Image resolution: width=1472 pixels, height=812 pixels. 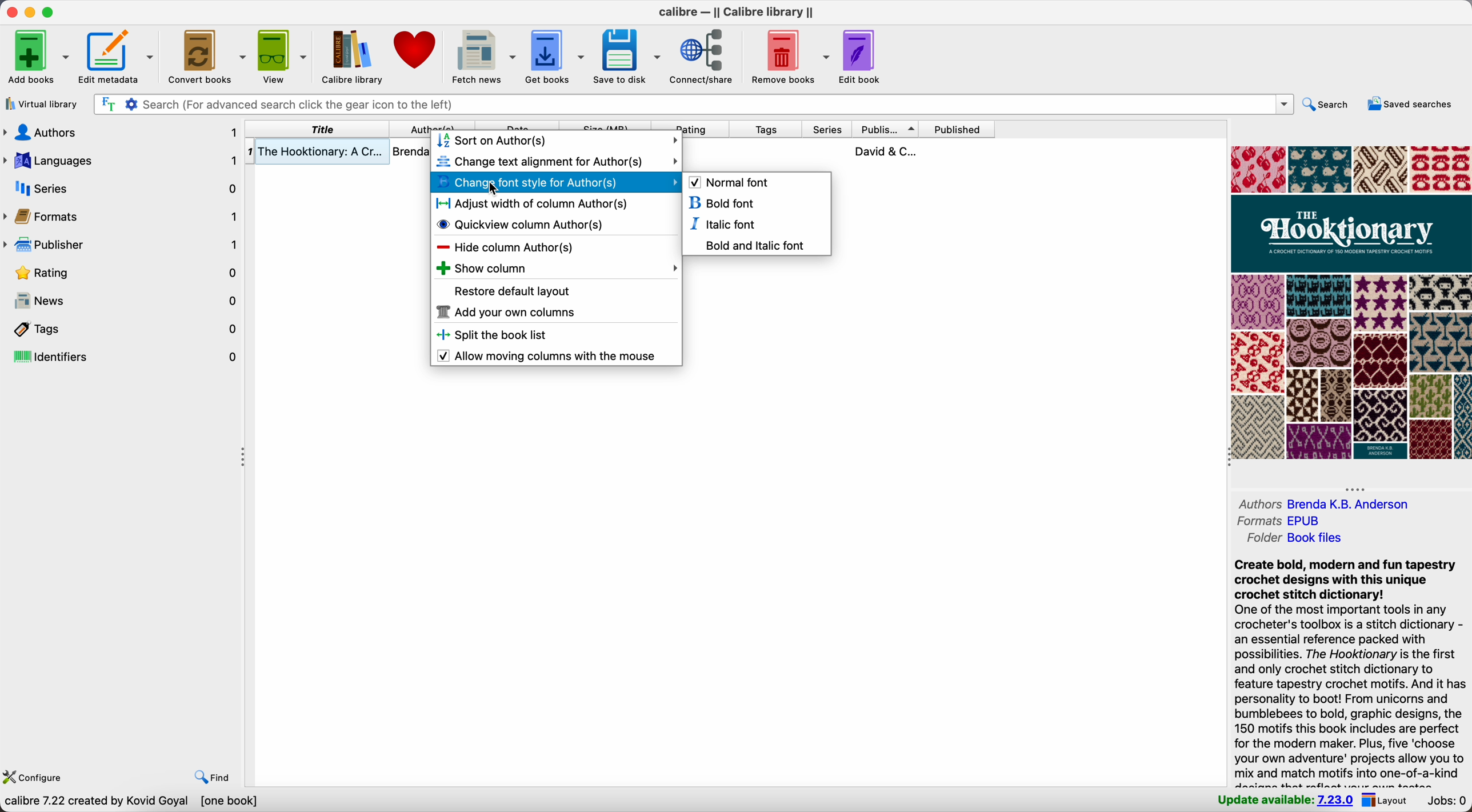 I want to click on allow moving columns with the mouse, so click(x=550, y=356).